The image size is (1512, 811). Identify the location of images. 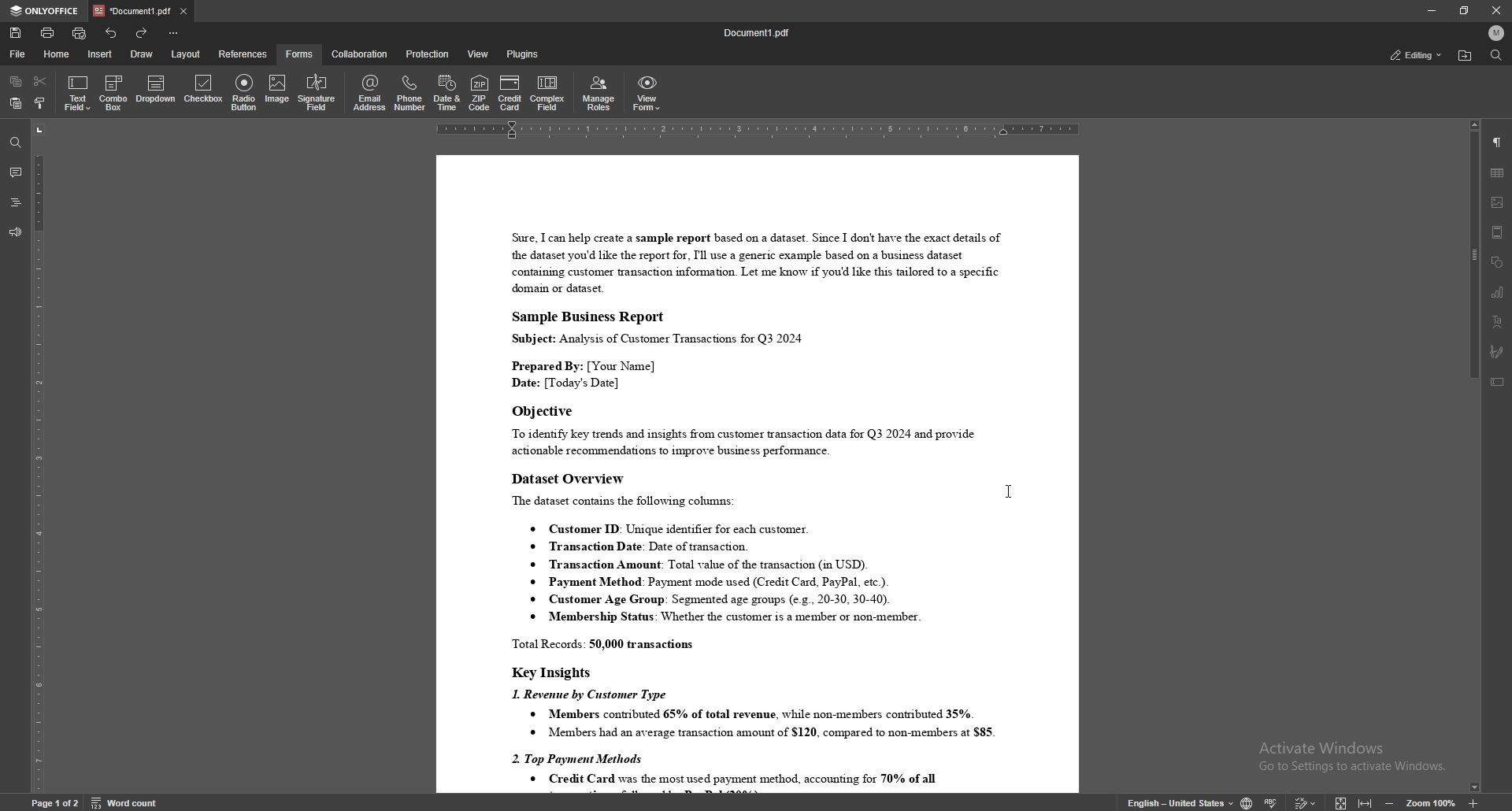
(1498, 202).